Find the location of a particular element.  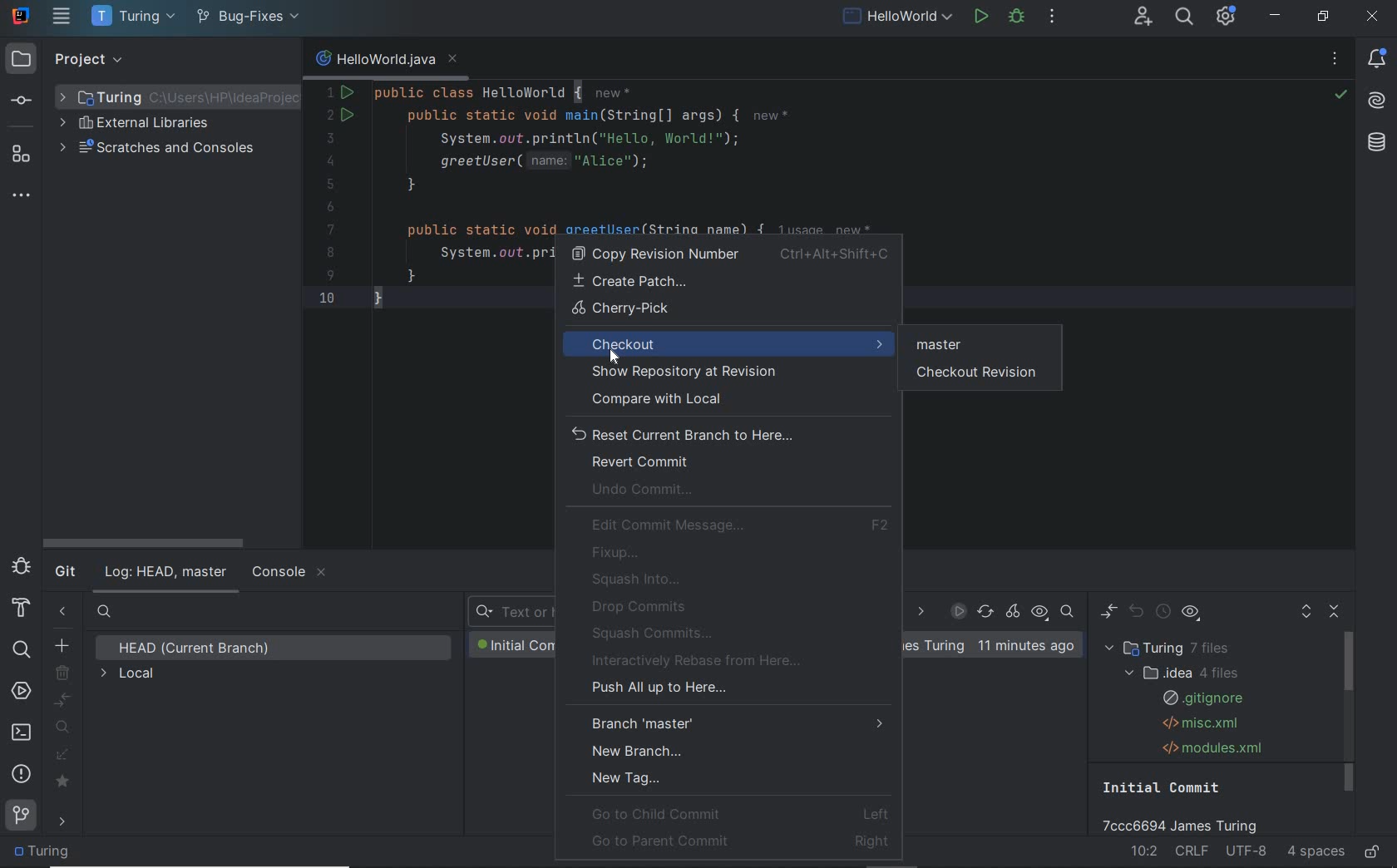

debug is located at coordinates (1016, 18).